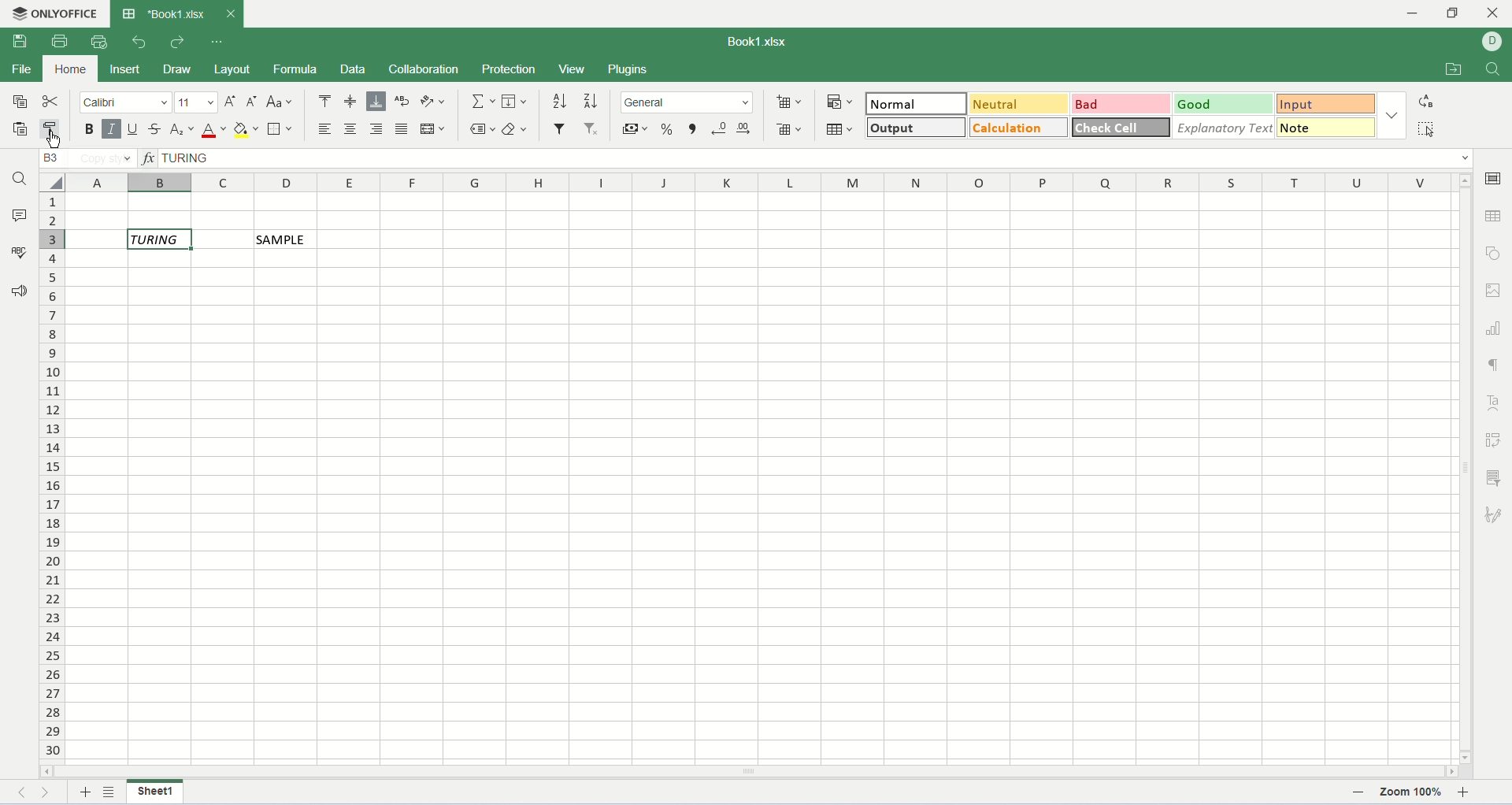 The image size is (1512, 805). I want to click on decrease decimal, so click(720, 130).